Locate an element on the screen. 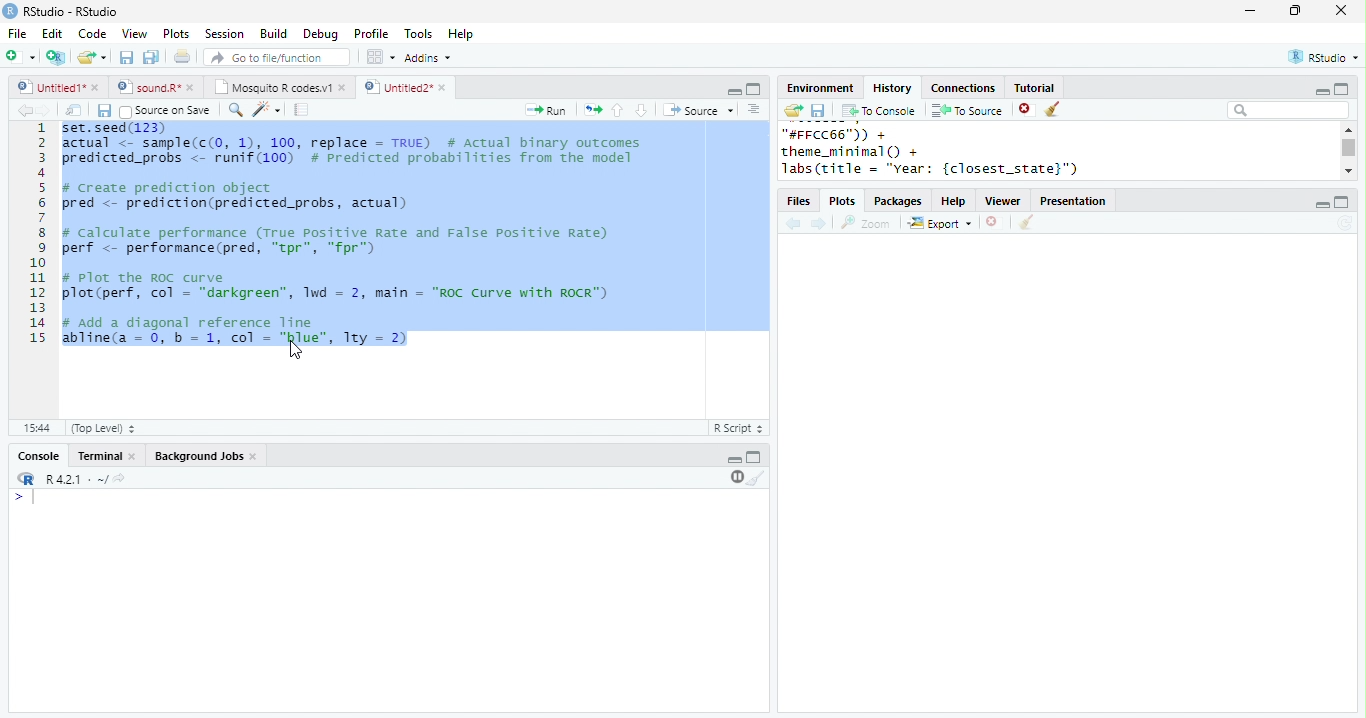 The height and width of the screenshot is (718, 1366). Session is located at coordinates (224, 34).